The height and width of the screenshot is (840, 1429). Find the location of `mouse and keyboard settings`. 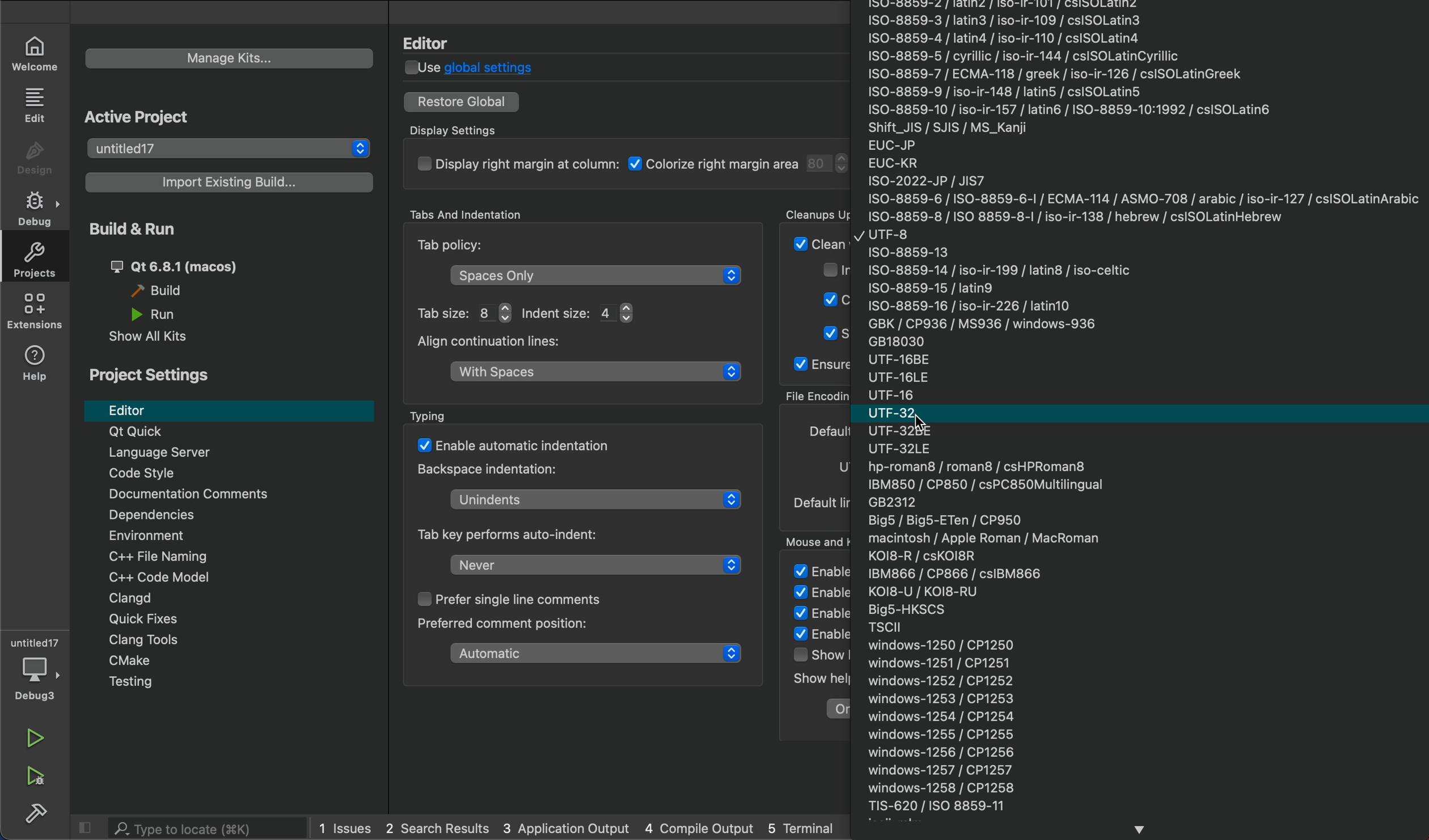

mouse and keyboard settings is located at coordinates (815, 646).